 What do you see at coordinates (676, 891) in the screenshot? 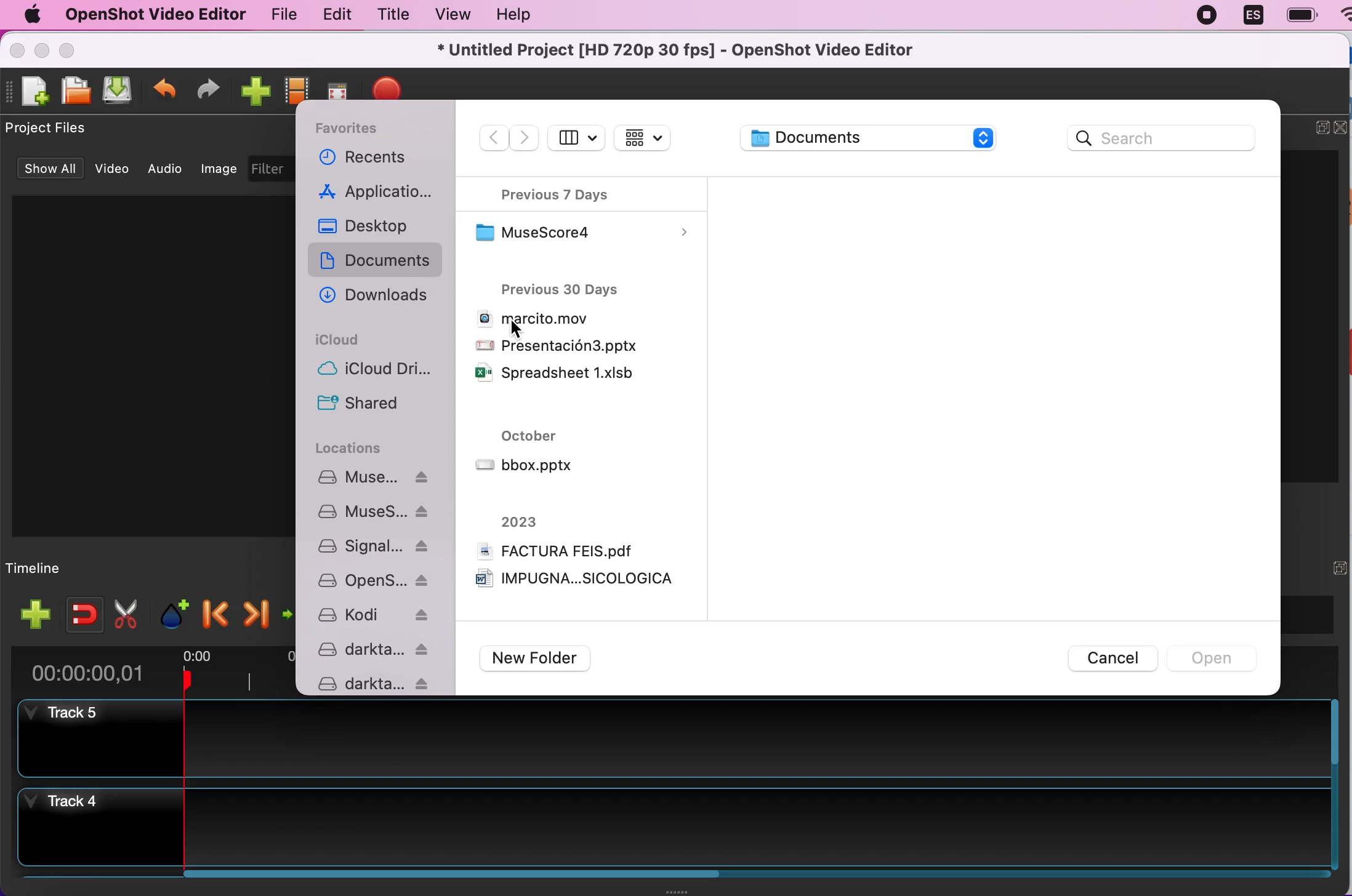
I see `Window Expanding` at bounding box center [676, 891].